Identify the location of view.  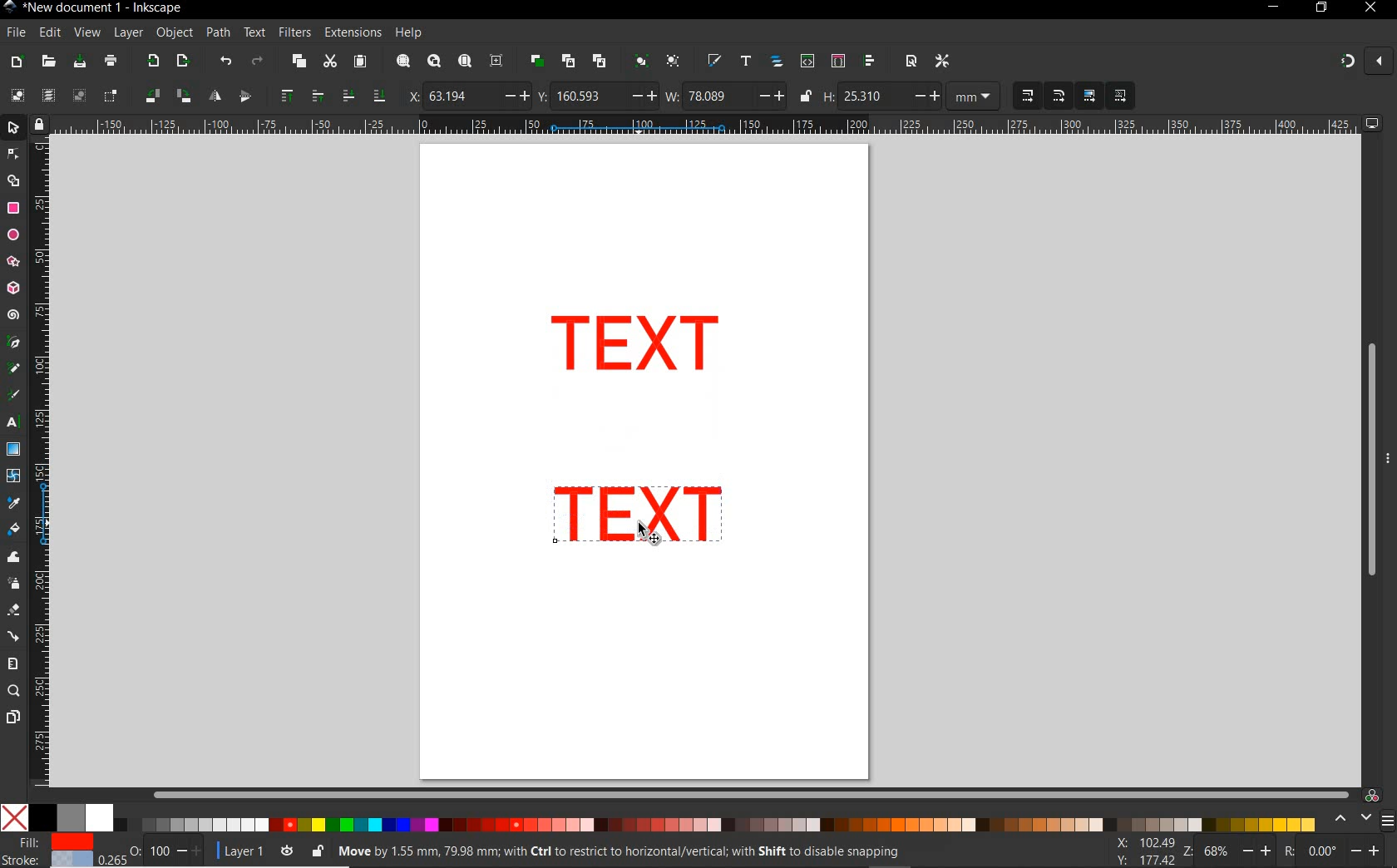
(86, 32).